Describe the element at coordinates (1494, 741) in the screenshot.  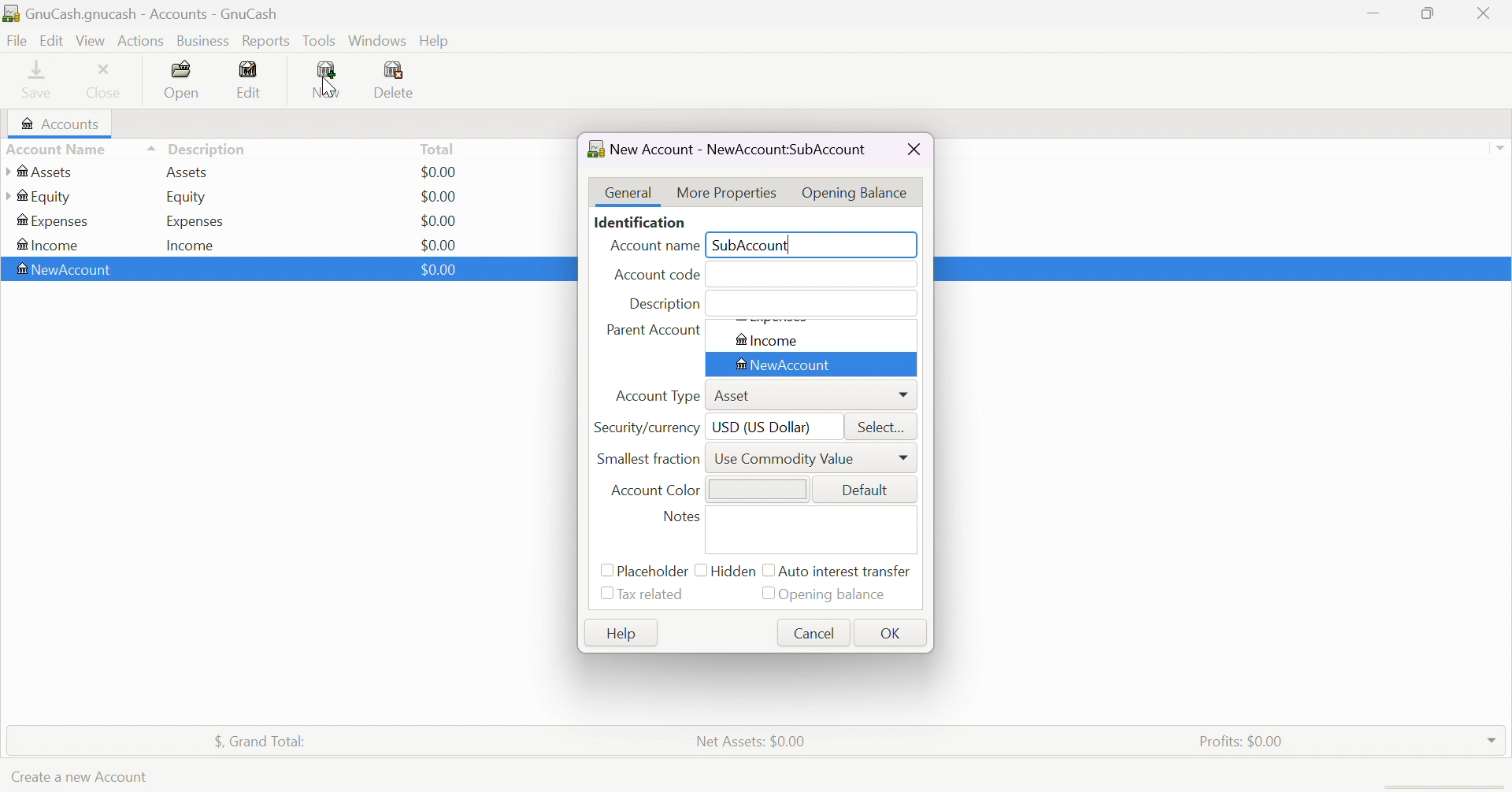
I see `Drop Down` at that location.